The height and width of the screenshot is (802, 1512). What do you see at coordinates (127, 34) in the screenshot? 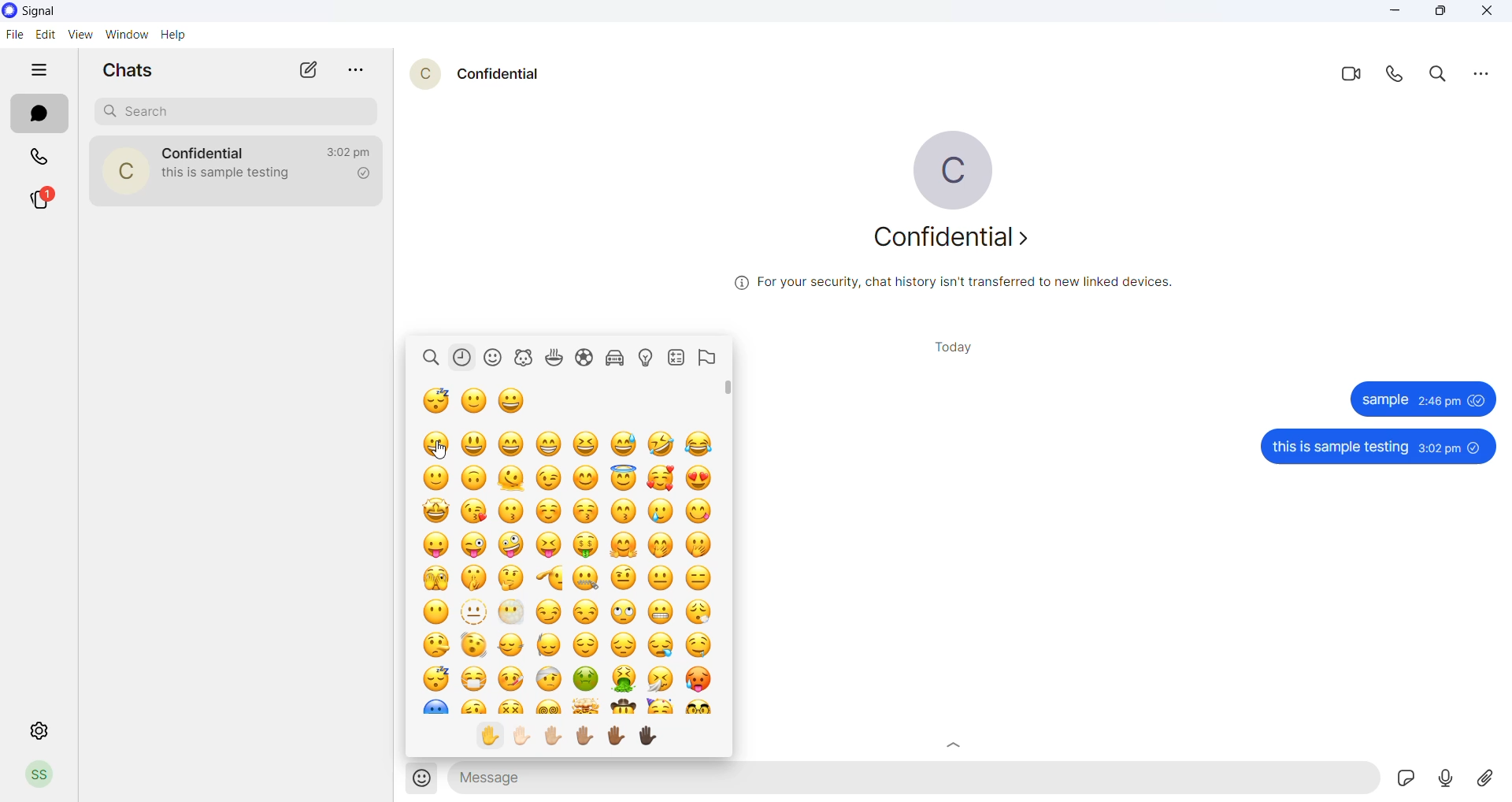
I see `window` at bounding box center [127, 34].